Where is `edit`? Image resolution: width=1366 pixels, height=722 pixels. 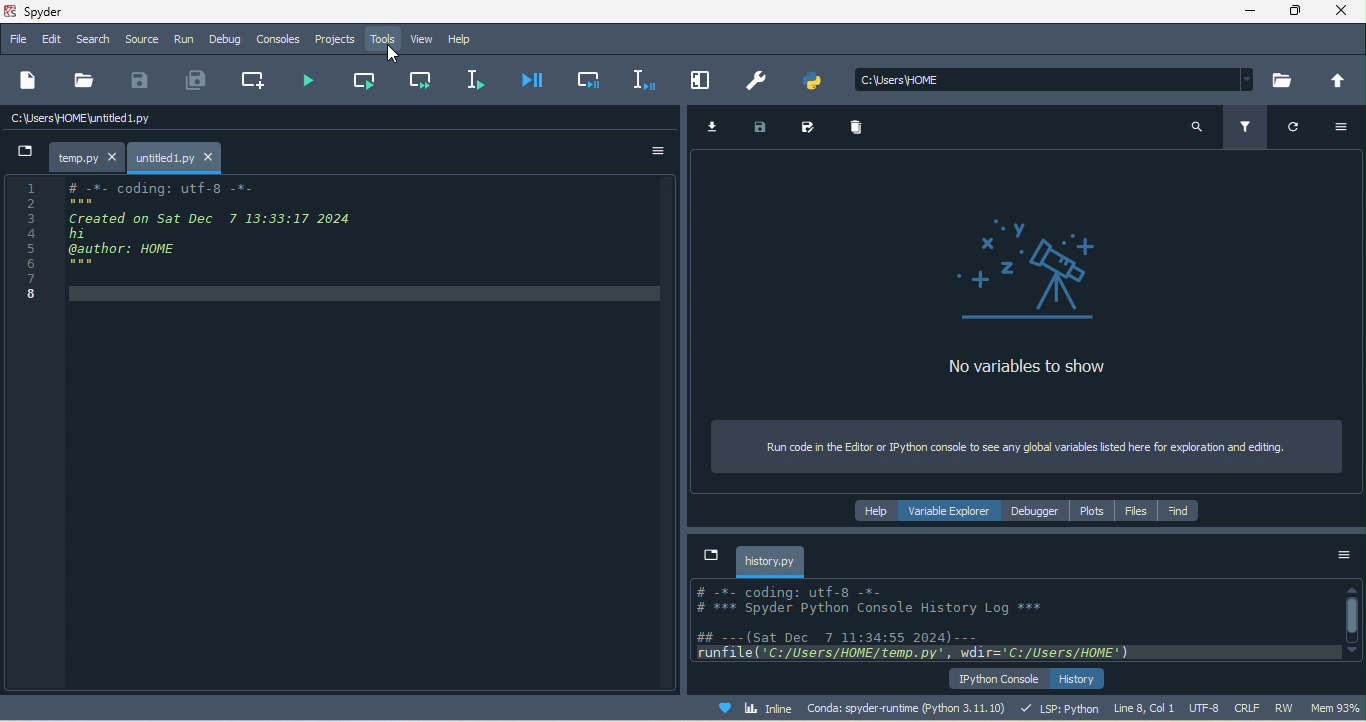 edit is located at coordinates (50, 40).